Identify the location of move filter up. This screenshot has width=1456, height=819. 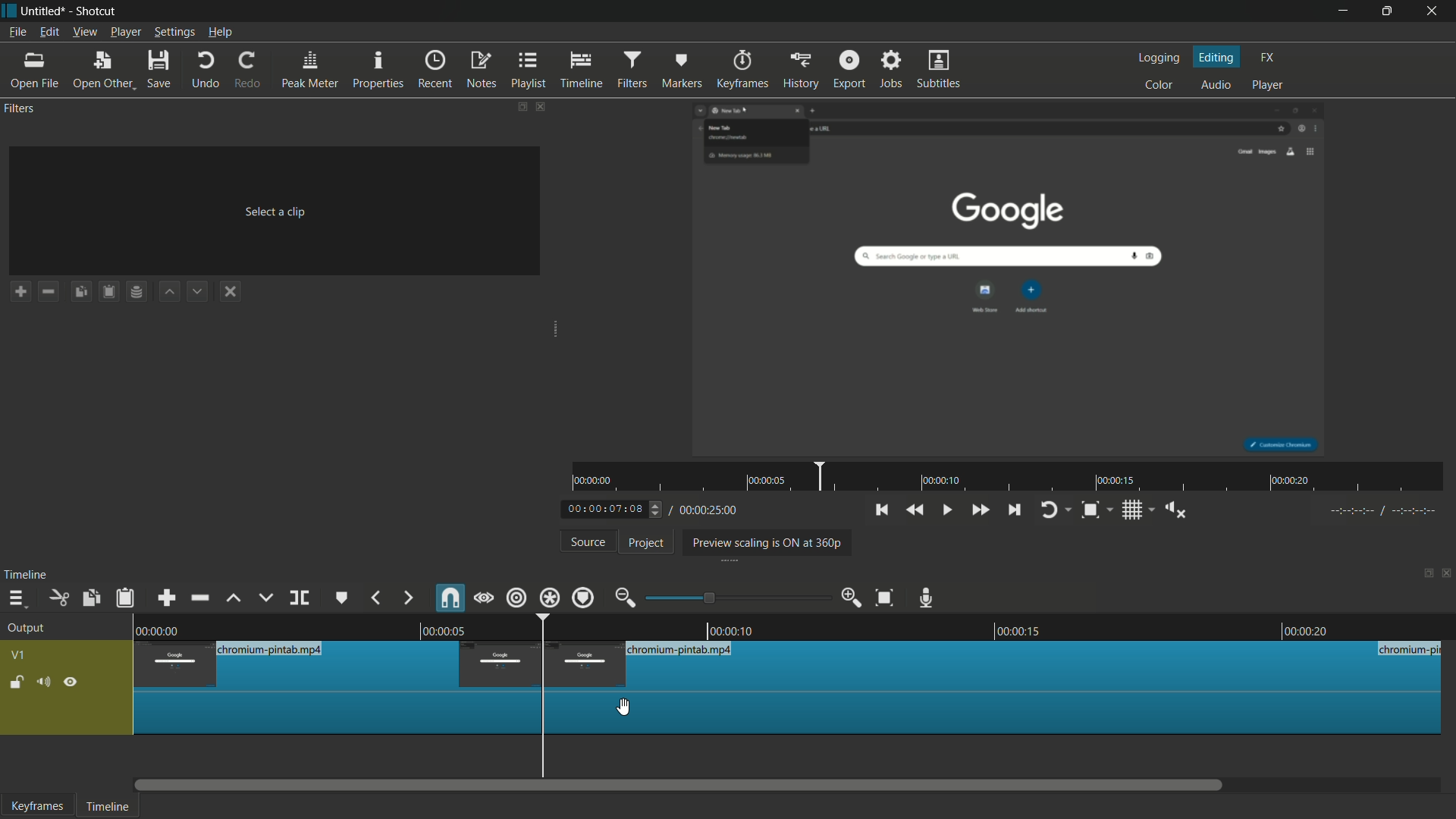
(170, 292).